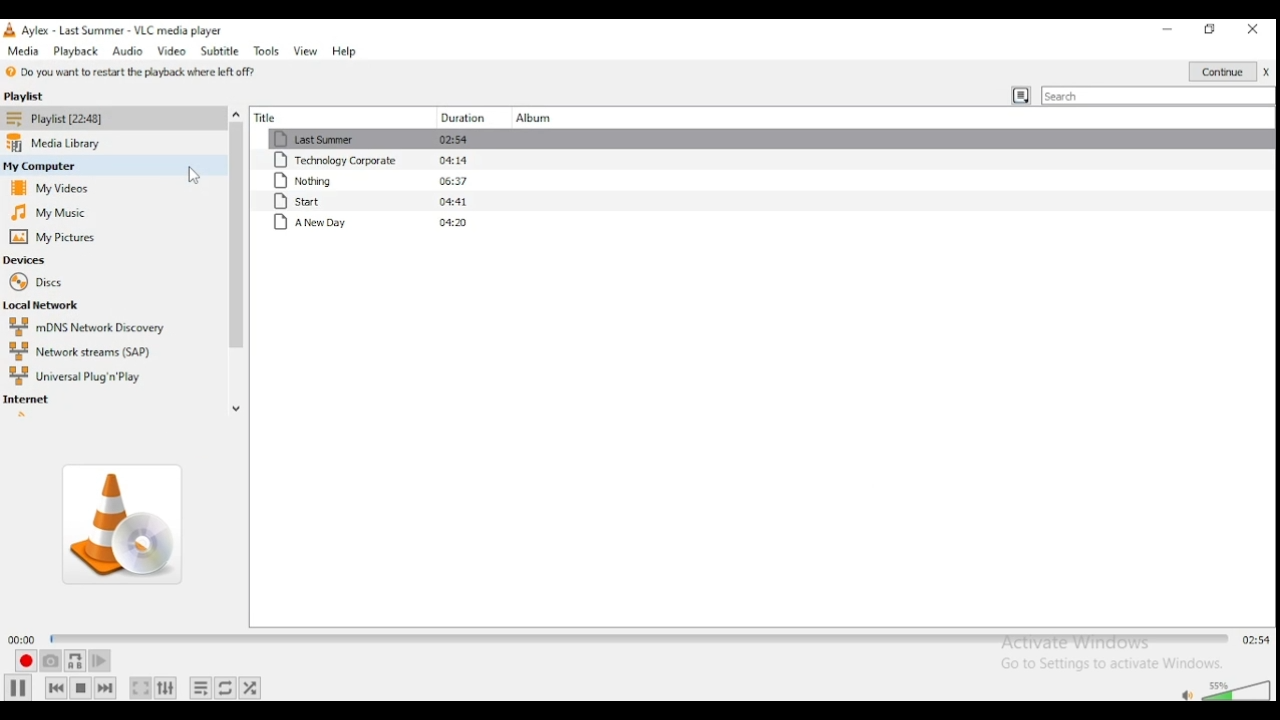 The image size is (1280, 720). What do you see at coordinates (1158, 94) in the screenshot?
I see `search bar` at bounding box center [1158, 94].